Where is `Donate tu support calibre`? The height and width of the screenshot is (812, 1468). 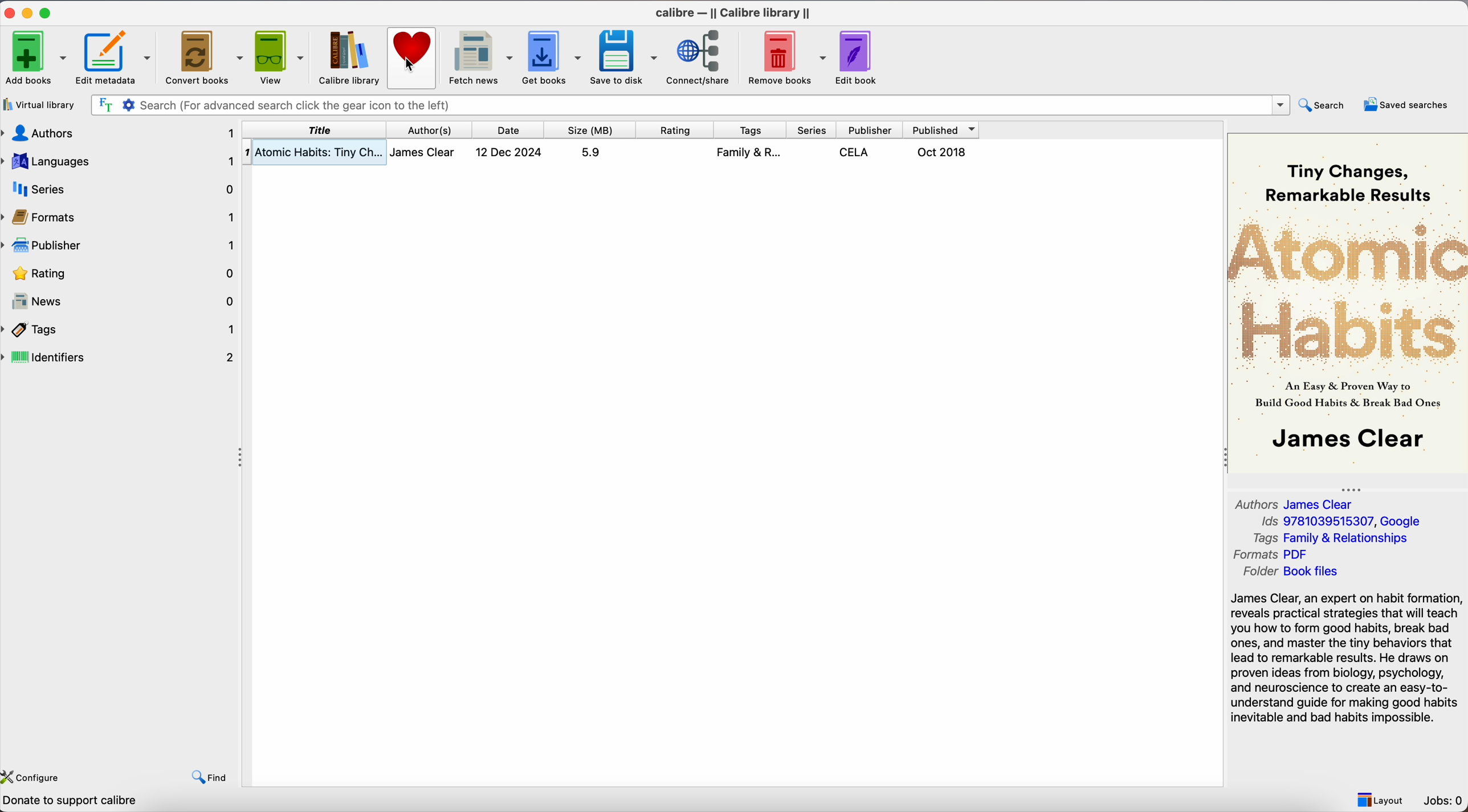
Donate tu support calibre is located at coordinates (74, 801).